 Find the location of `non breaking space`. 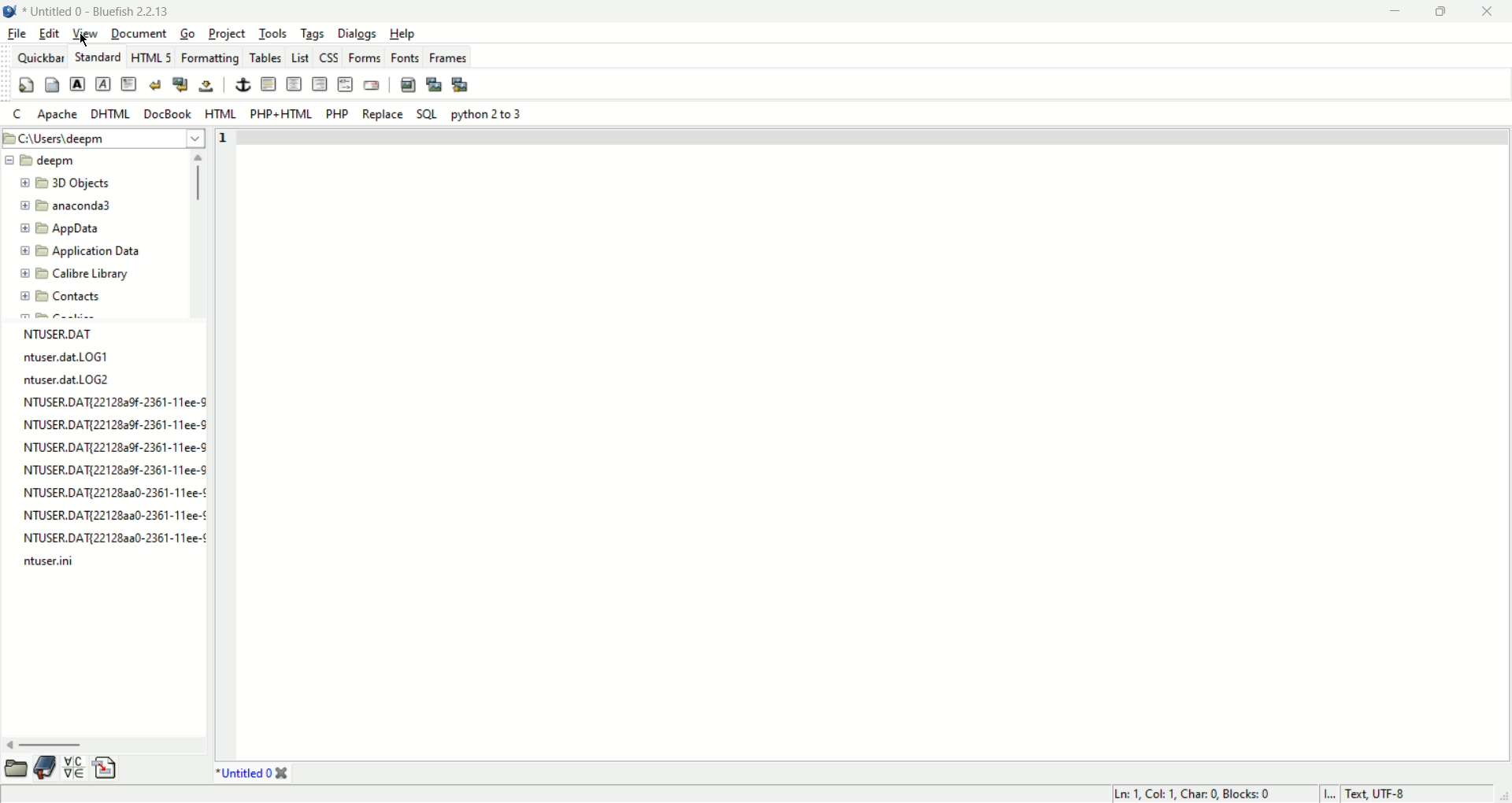

non breaking space is located at coordinates (206, 86).